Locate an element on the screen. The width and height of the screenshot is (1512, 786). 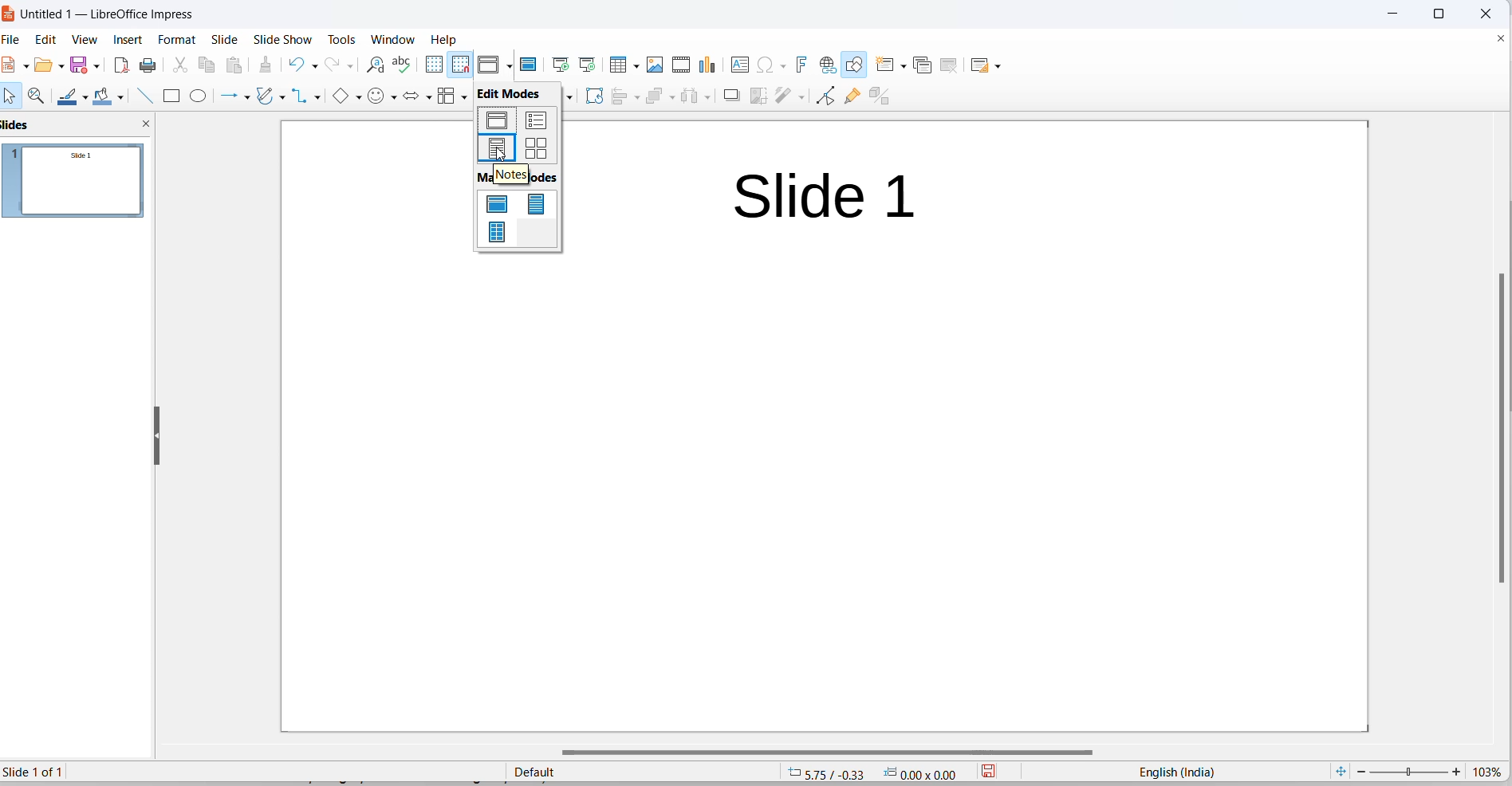
master slide is located at coordinates (532, 64).